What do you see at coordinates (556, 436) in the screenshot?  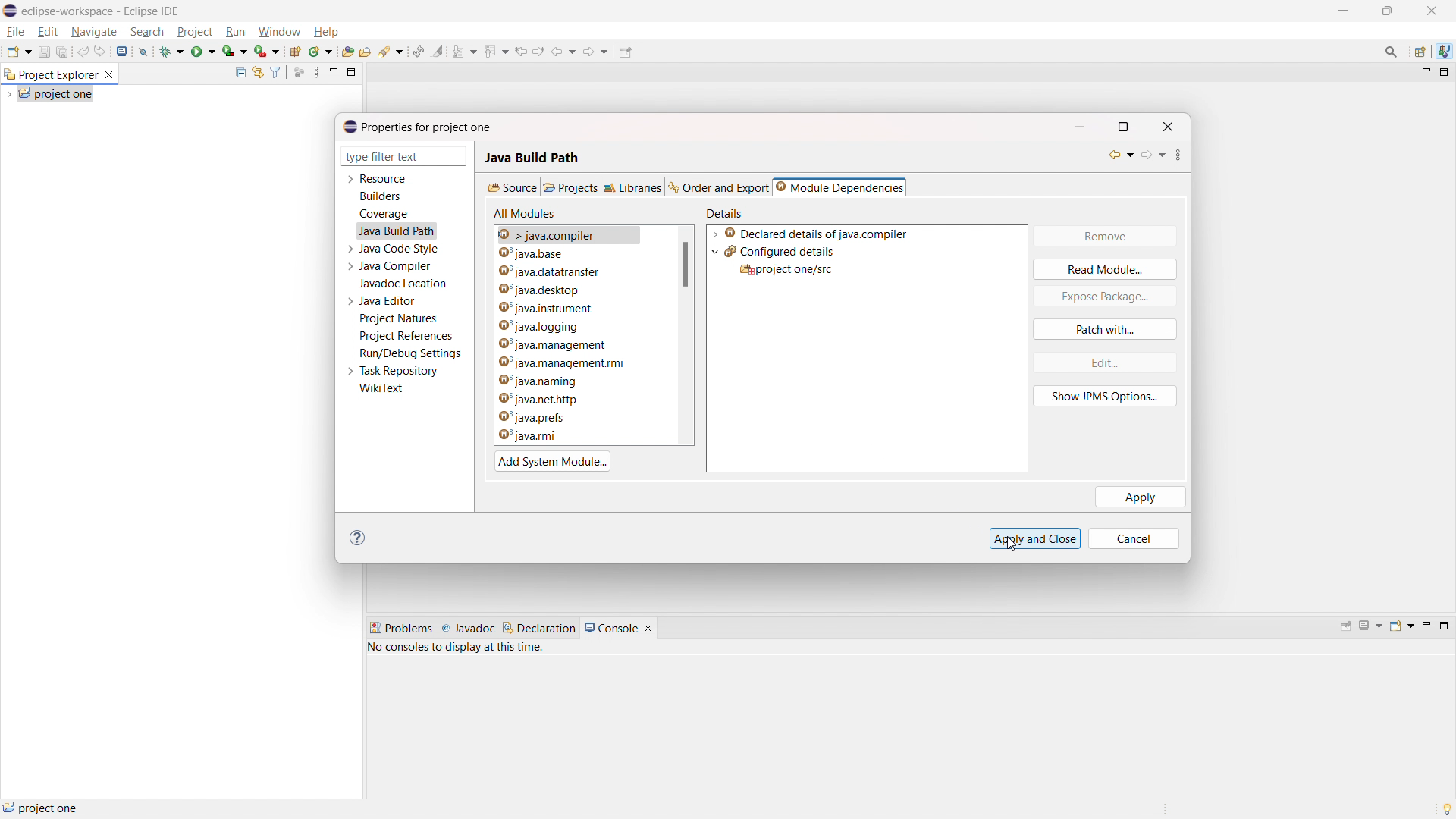 I see `java.rmi` at bounding box center [556, 436].